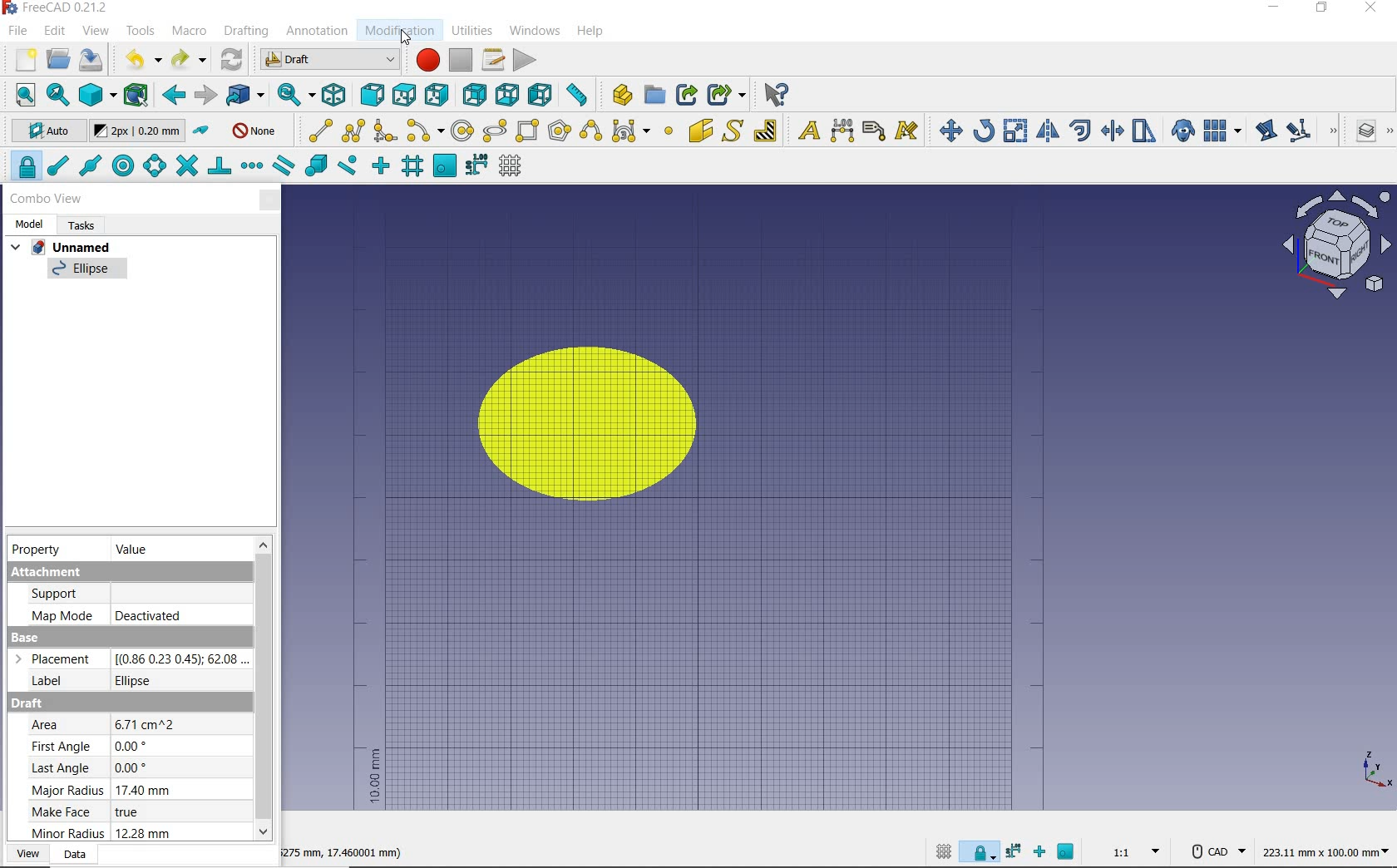  What do you see at coordinates (766, 131) in the screenshot?
I see `hatch` at bounding box center [766, 131].